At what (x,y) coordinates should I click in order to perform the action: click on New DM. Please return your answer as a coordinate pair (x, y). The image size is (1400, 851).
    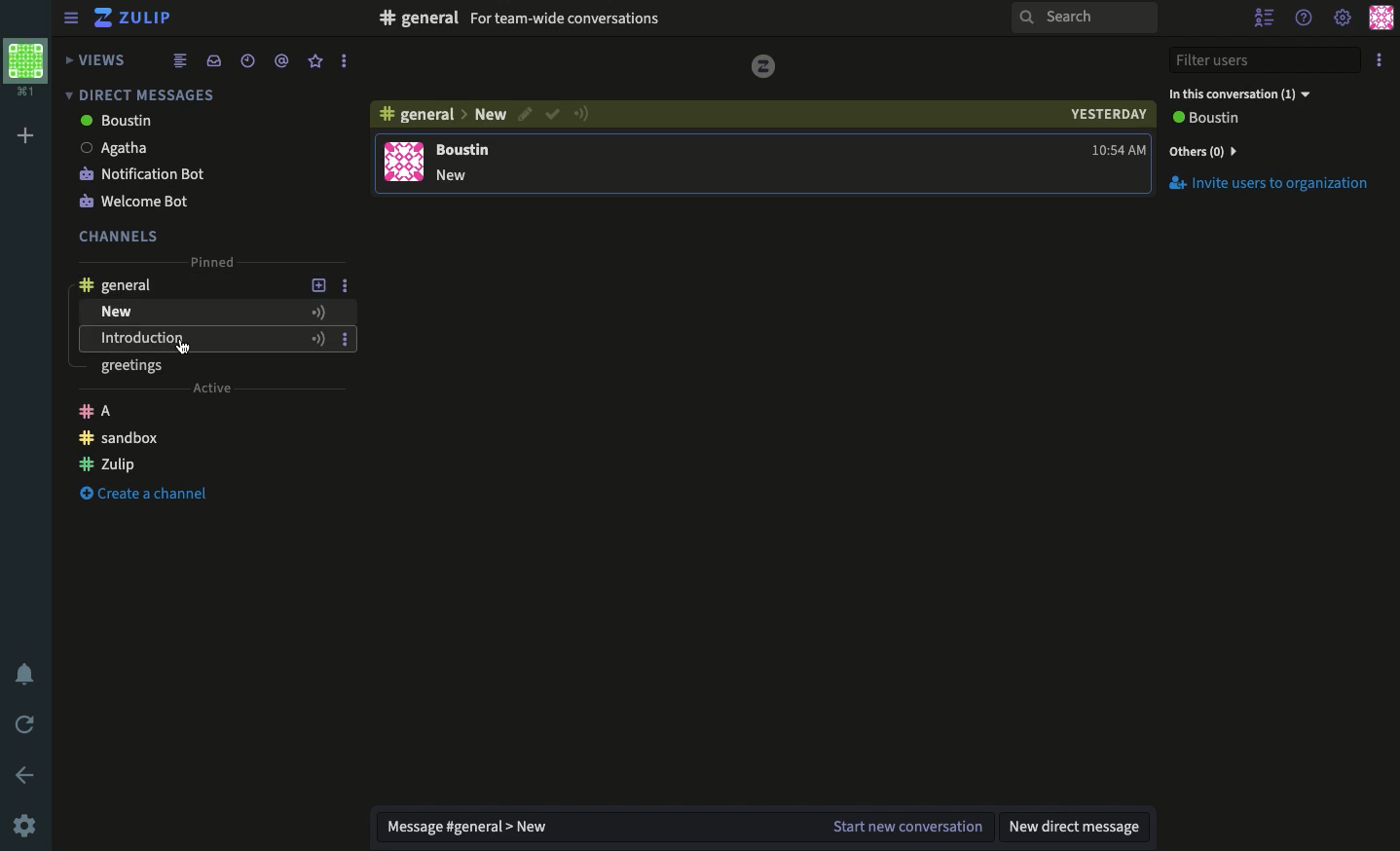
    Looking at the image, I should click on (1078, 826).